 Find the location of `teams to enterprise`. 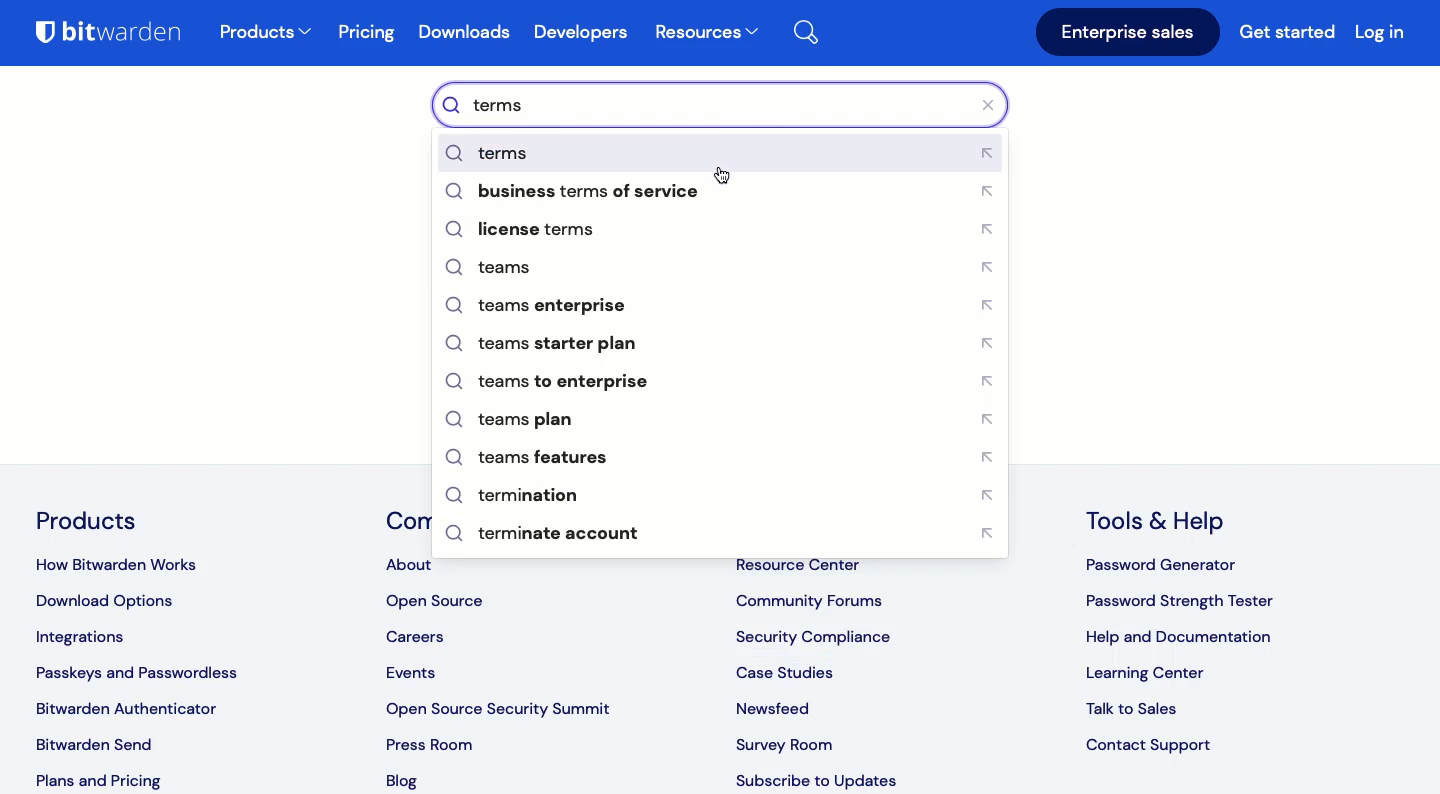

teams to enterprise is located at coordinates (717, 383).